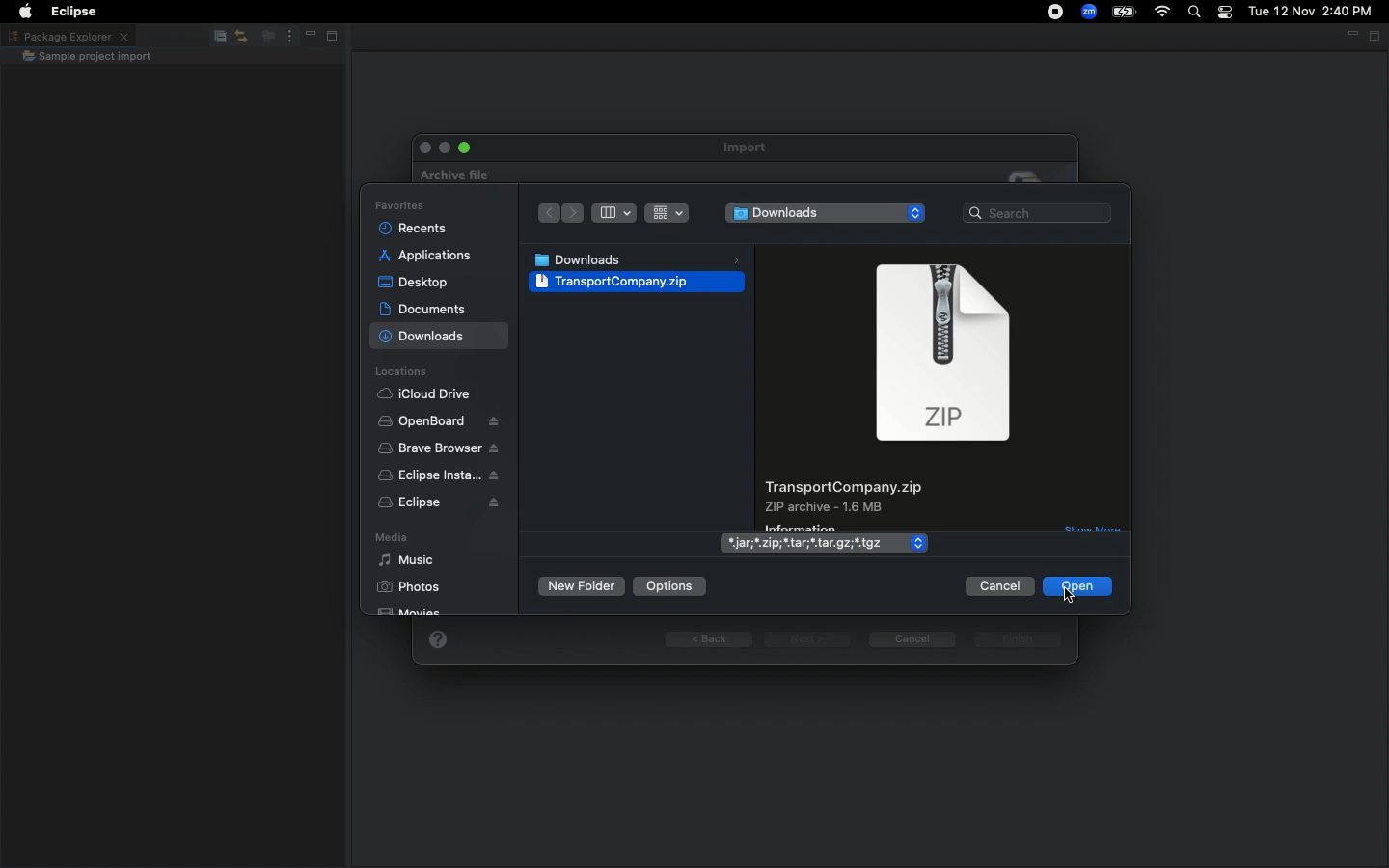 The height and width of the screenshot is (868, 1389). What do you see at coordinates (419, 613) in the screenshot?
I see `Movies` at bounding box center [419, 613].